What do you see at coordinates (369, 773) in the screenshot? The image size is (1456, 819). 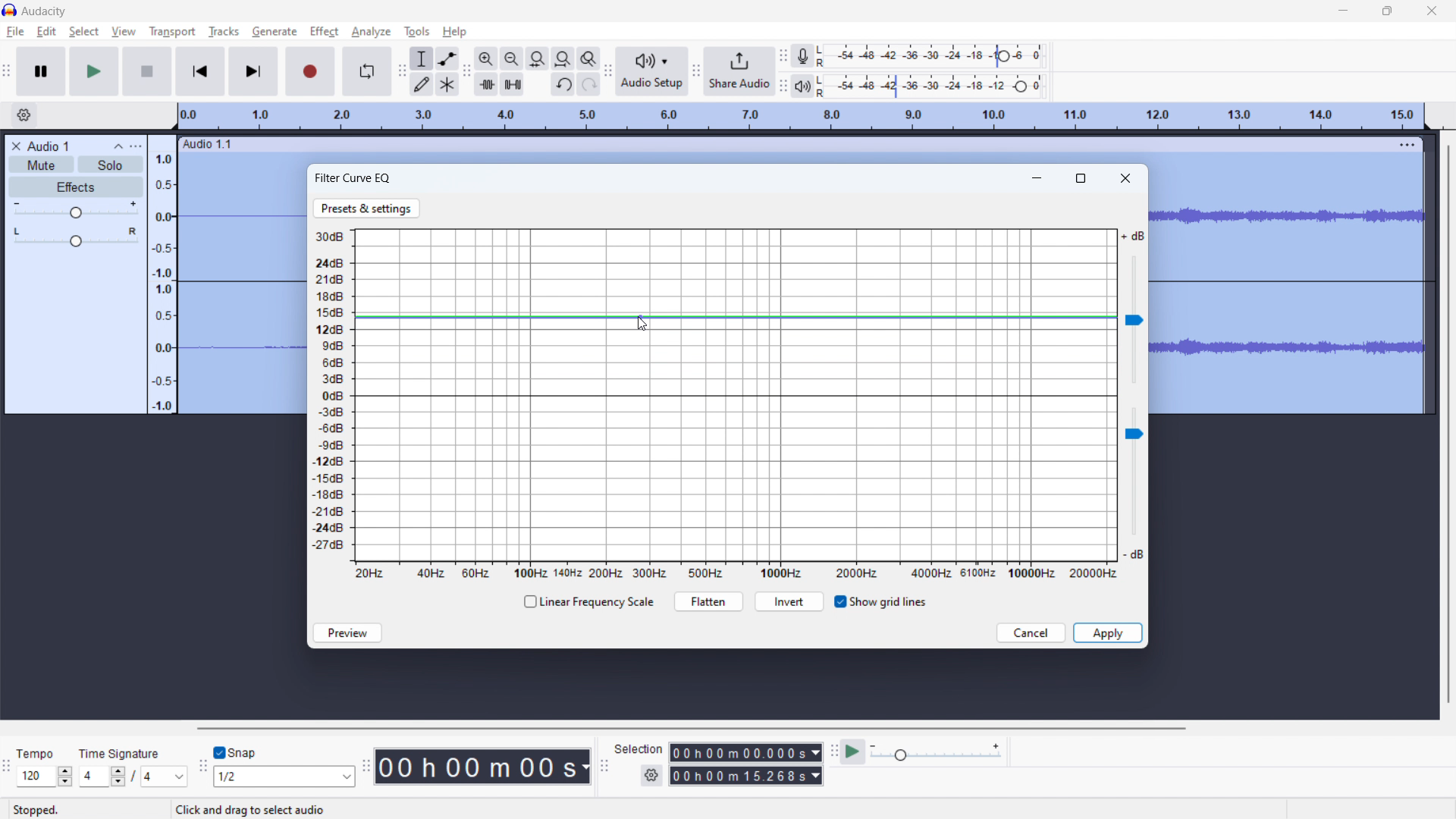 I see `time toolbar` at bounding box center [369, 773].